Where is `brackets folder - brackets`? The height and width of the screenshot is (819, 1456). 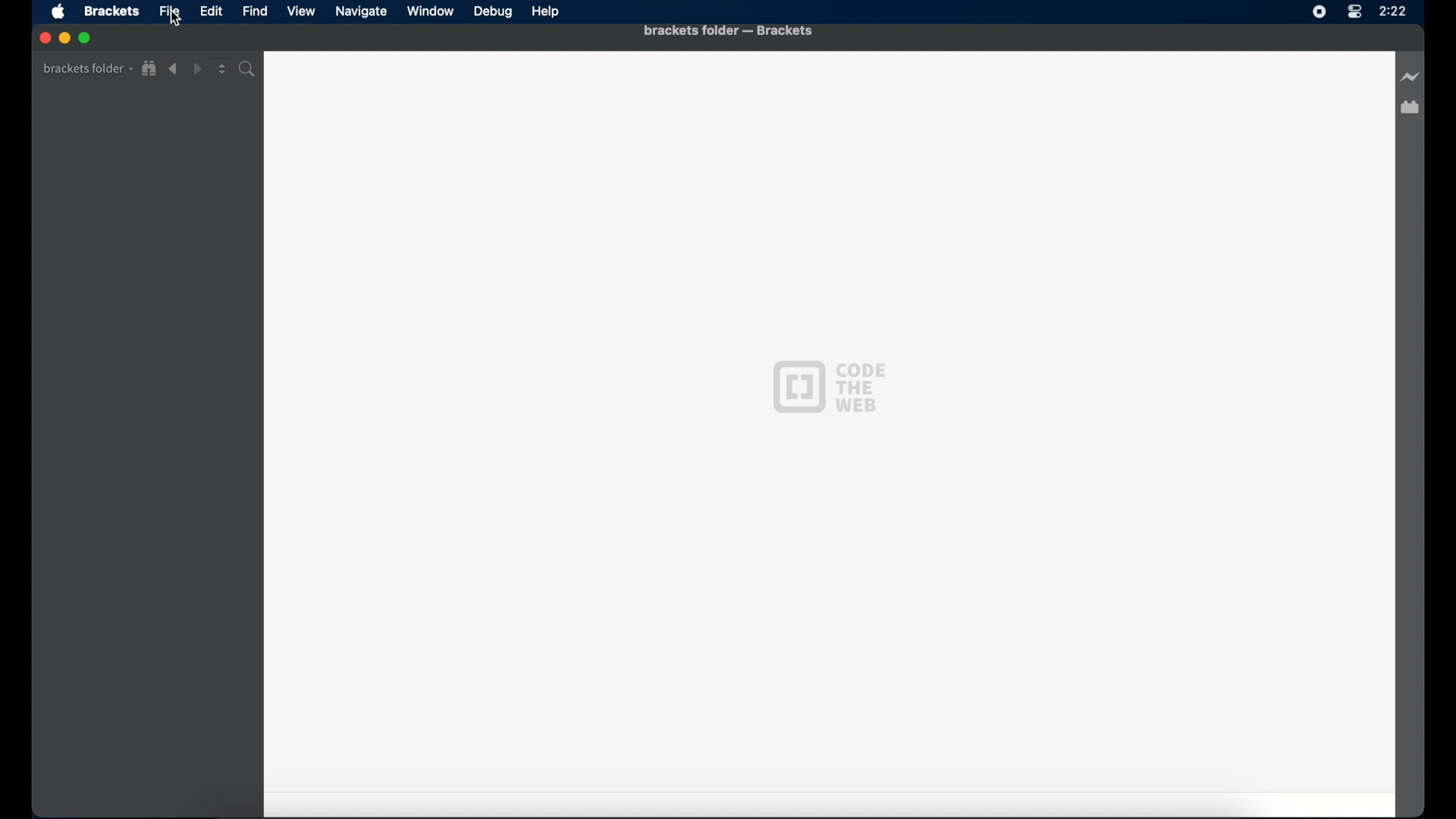
brackets folder - brackets is located at coordinates (728, 30).